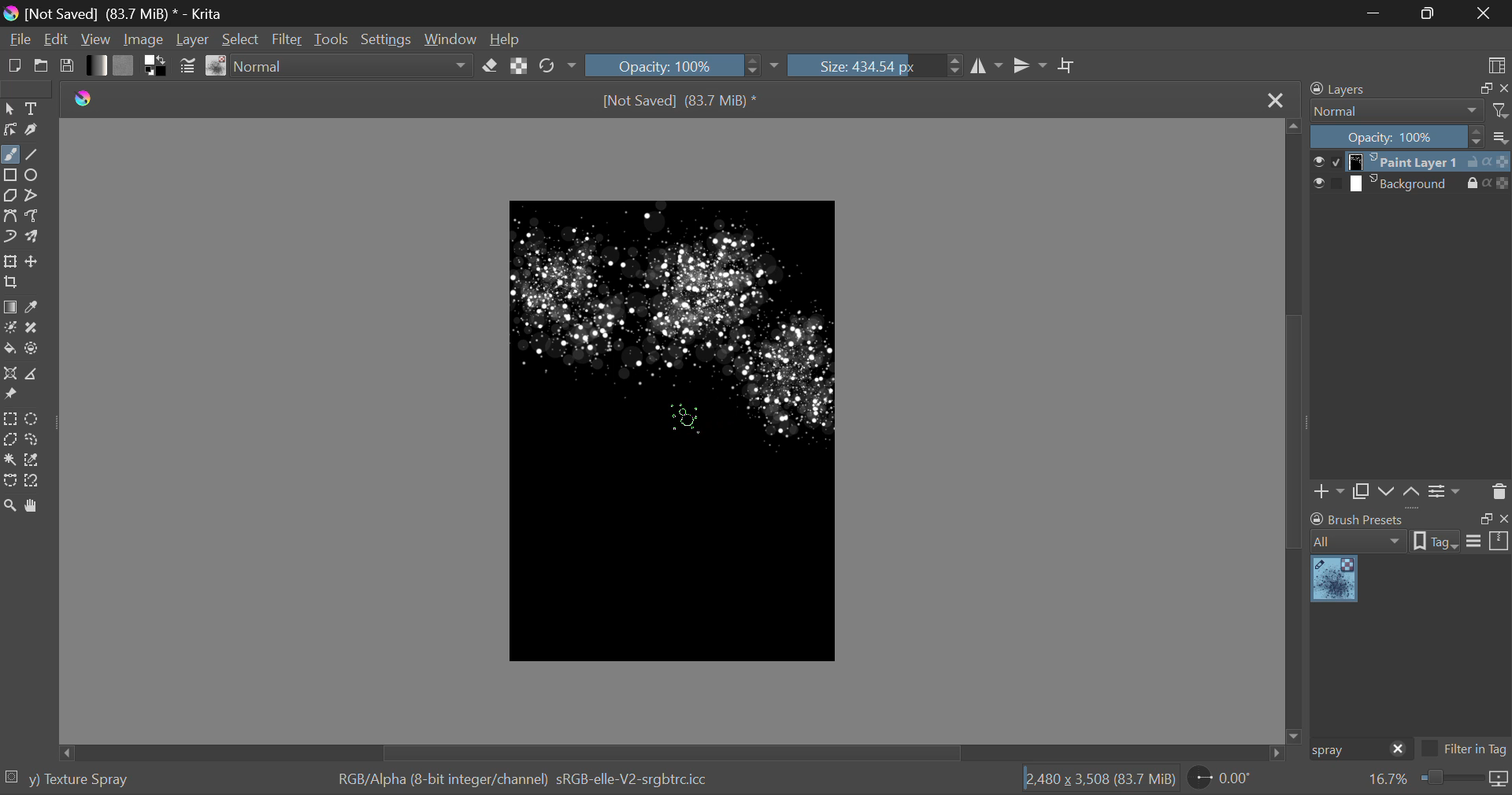  Describe the element at coordinates (1360, 542) in the screenshot. I see `all` at that location.